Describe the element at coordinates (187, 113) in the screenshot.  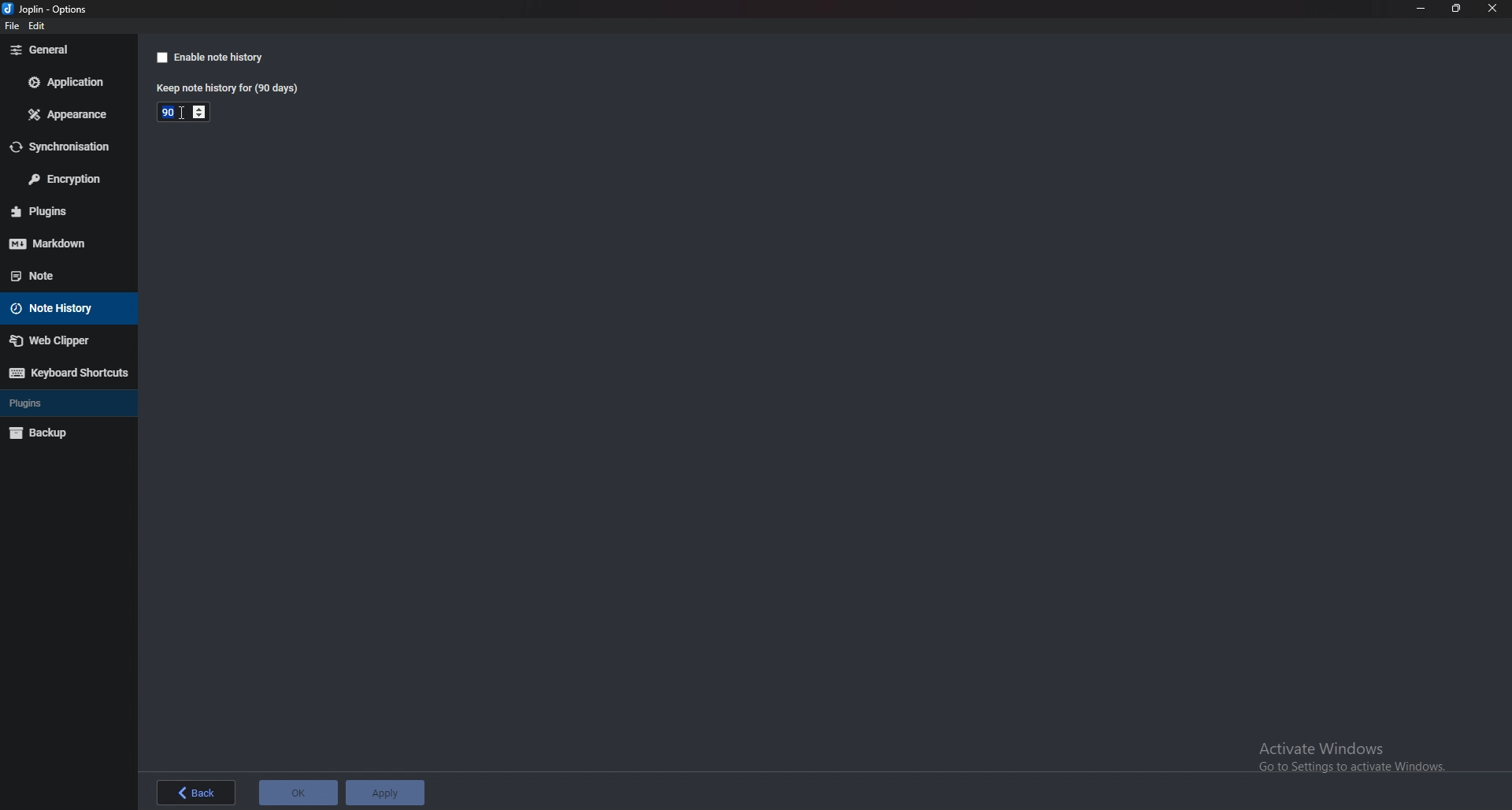
I see `cursor` at that location.